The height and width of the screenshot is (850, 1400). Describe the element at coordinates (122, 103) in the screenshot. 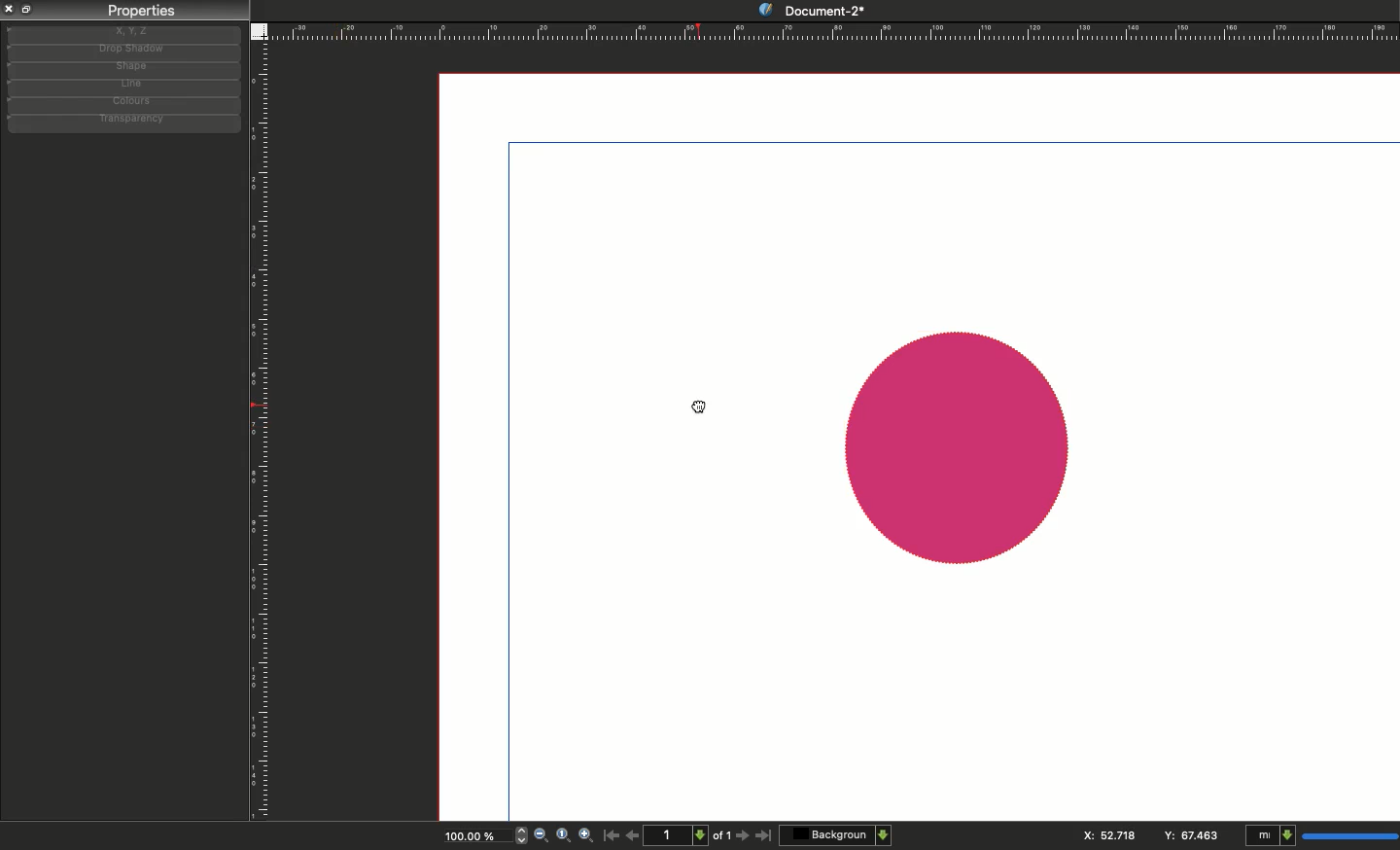

I see `Colors` at that location.